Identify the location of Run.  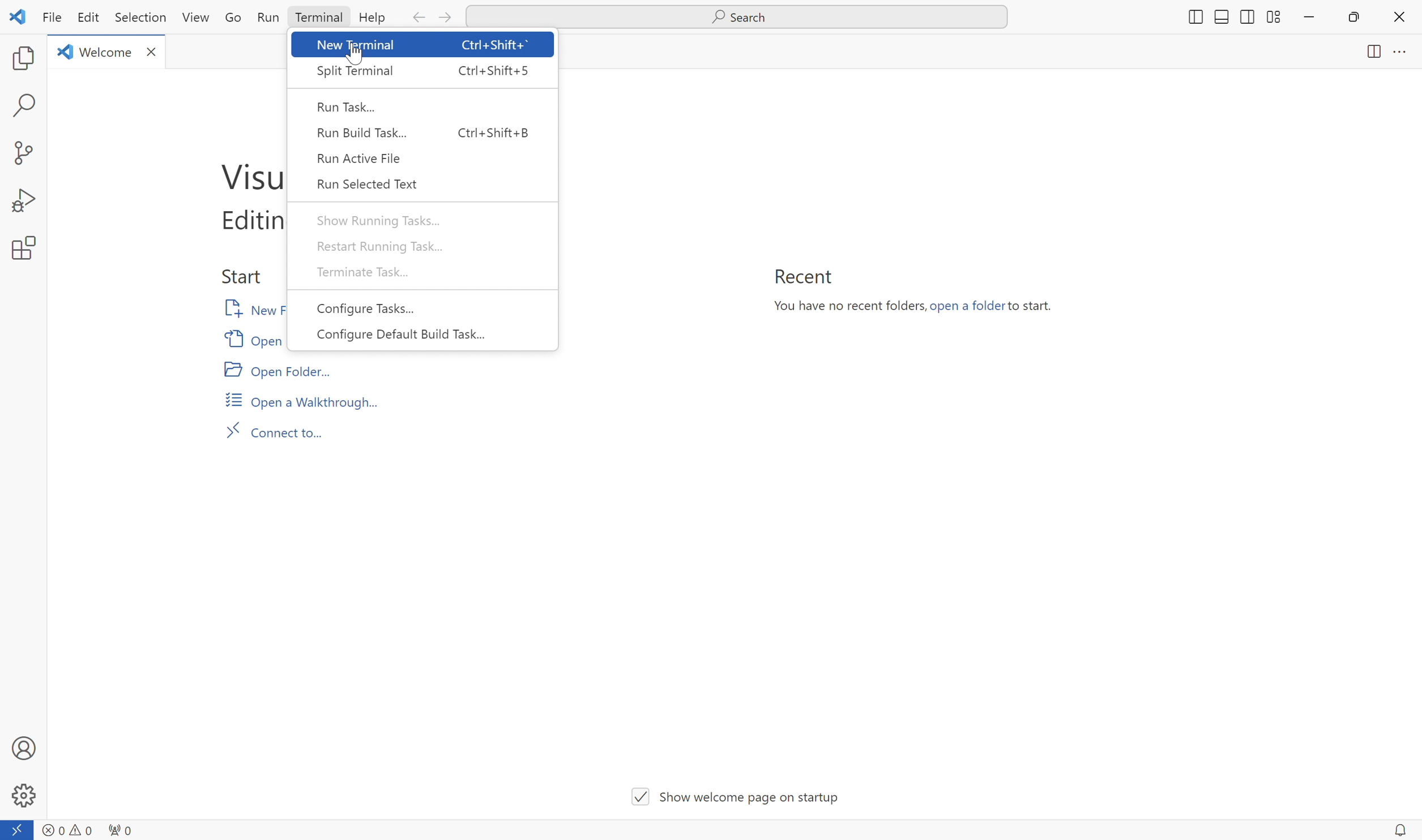
(267, 16).